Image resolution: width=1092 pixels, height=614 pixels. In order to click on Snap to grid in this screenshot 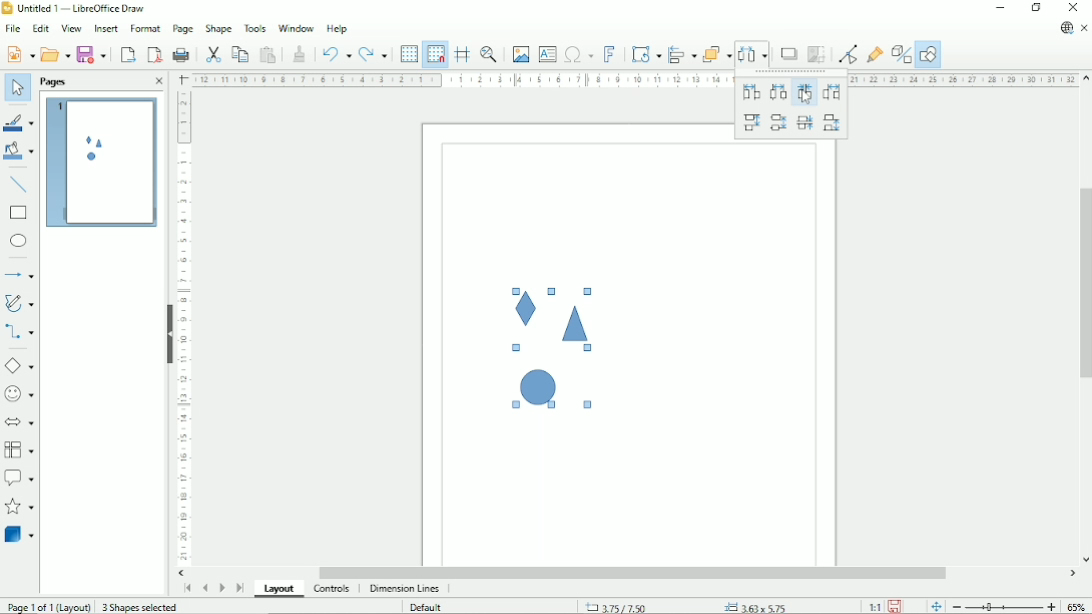, I will do `click(435, 54)`.